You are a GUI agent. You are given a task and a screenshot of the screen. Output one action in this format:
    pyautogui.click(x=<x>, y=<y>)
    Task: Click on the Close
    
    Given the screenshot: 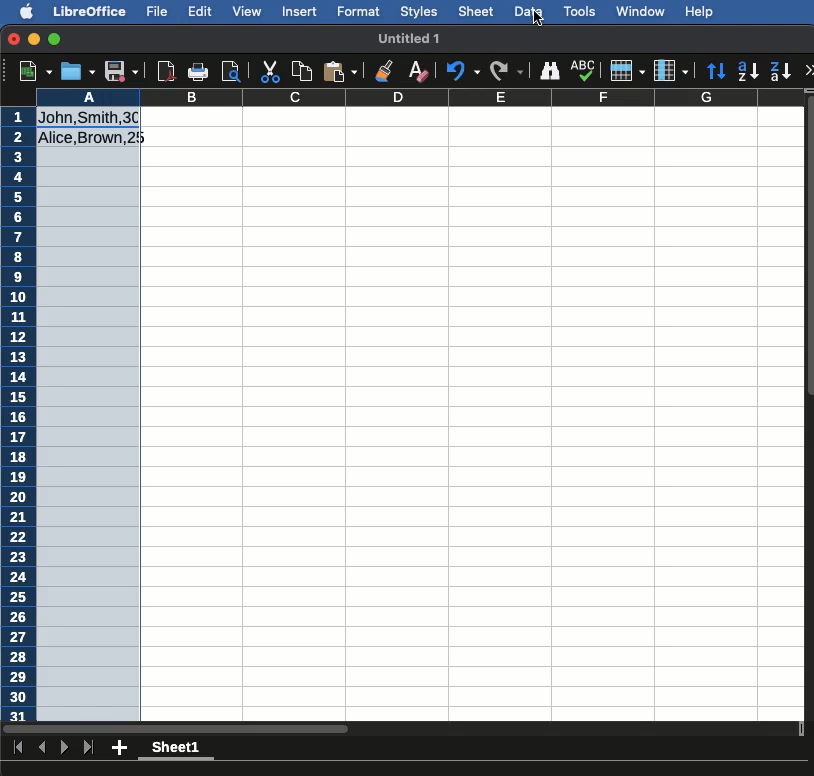 What is the action you would take?
    pyautogui.click(x=13, y=39)
    